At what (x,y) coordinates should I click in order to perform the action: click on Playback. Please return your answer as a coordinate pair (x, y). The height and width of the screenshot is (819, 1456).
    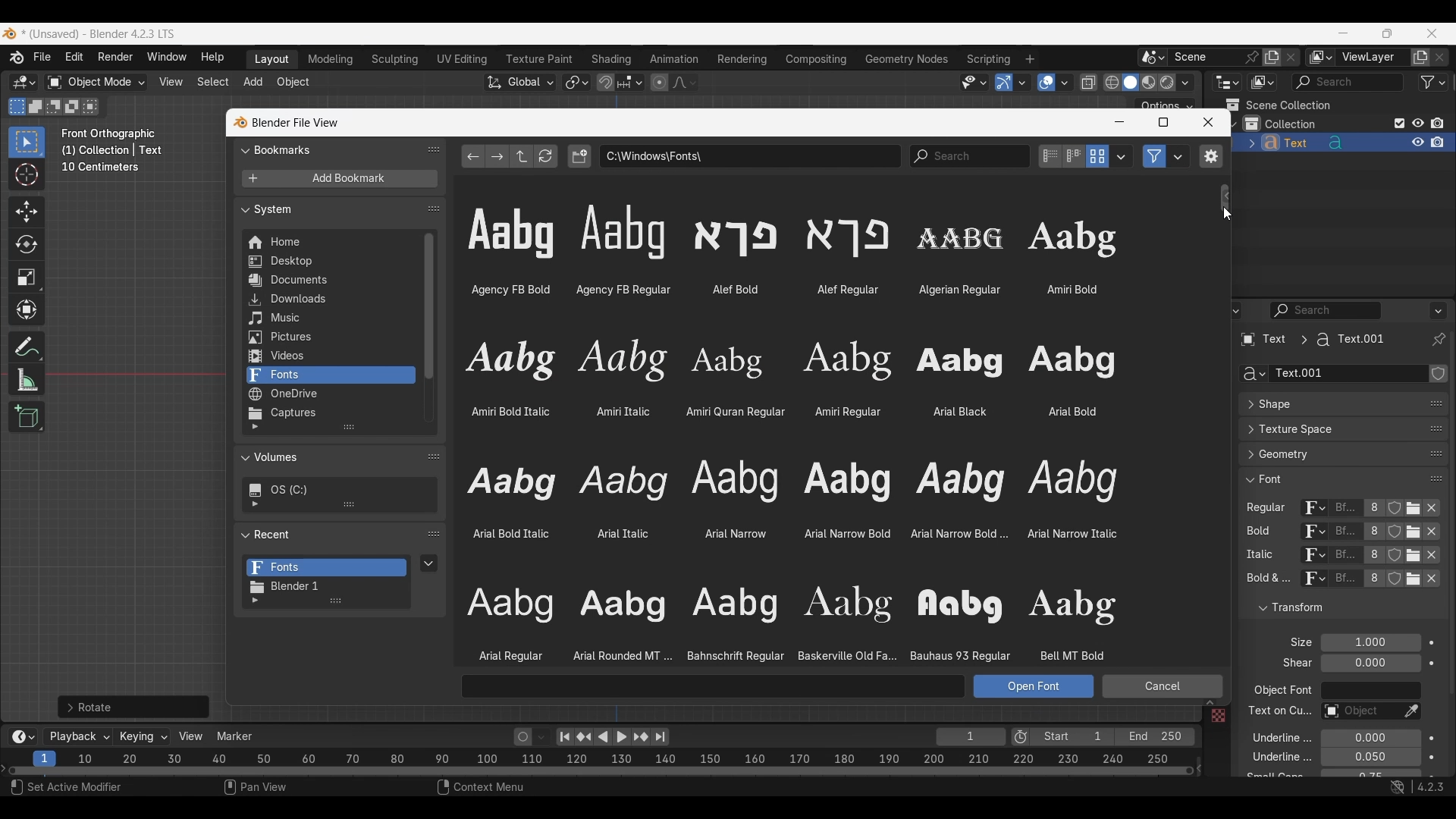
    Looking at the image, I should click on (79, 737).